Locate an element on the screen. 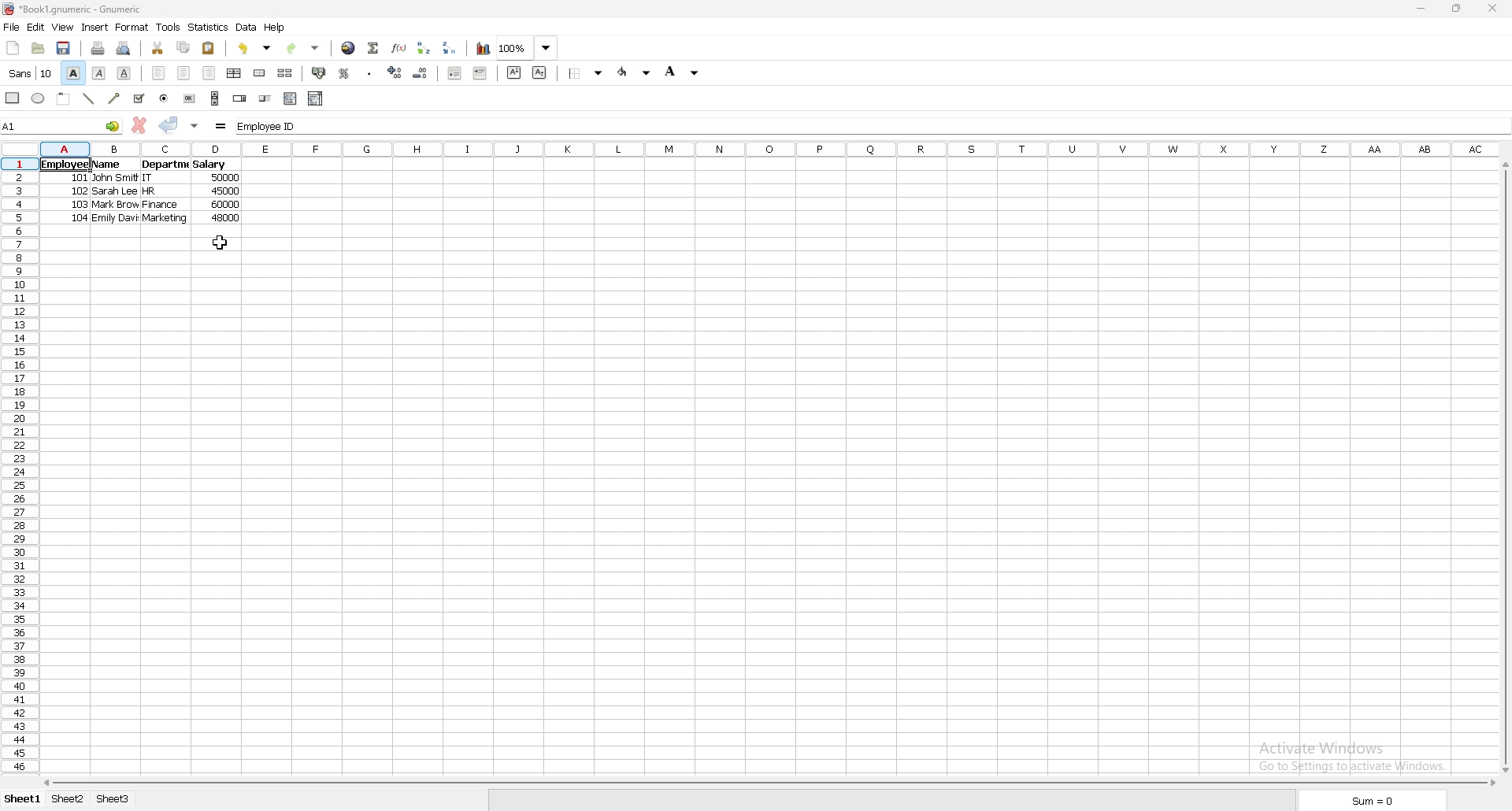 Image resolution: width=1512 pixels, height=811 pixels. 101 is located at coordinates (76, 179).